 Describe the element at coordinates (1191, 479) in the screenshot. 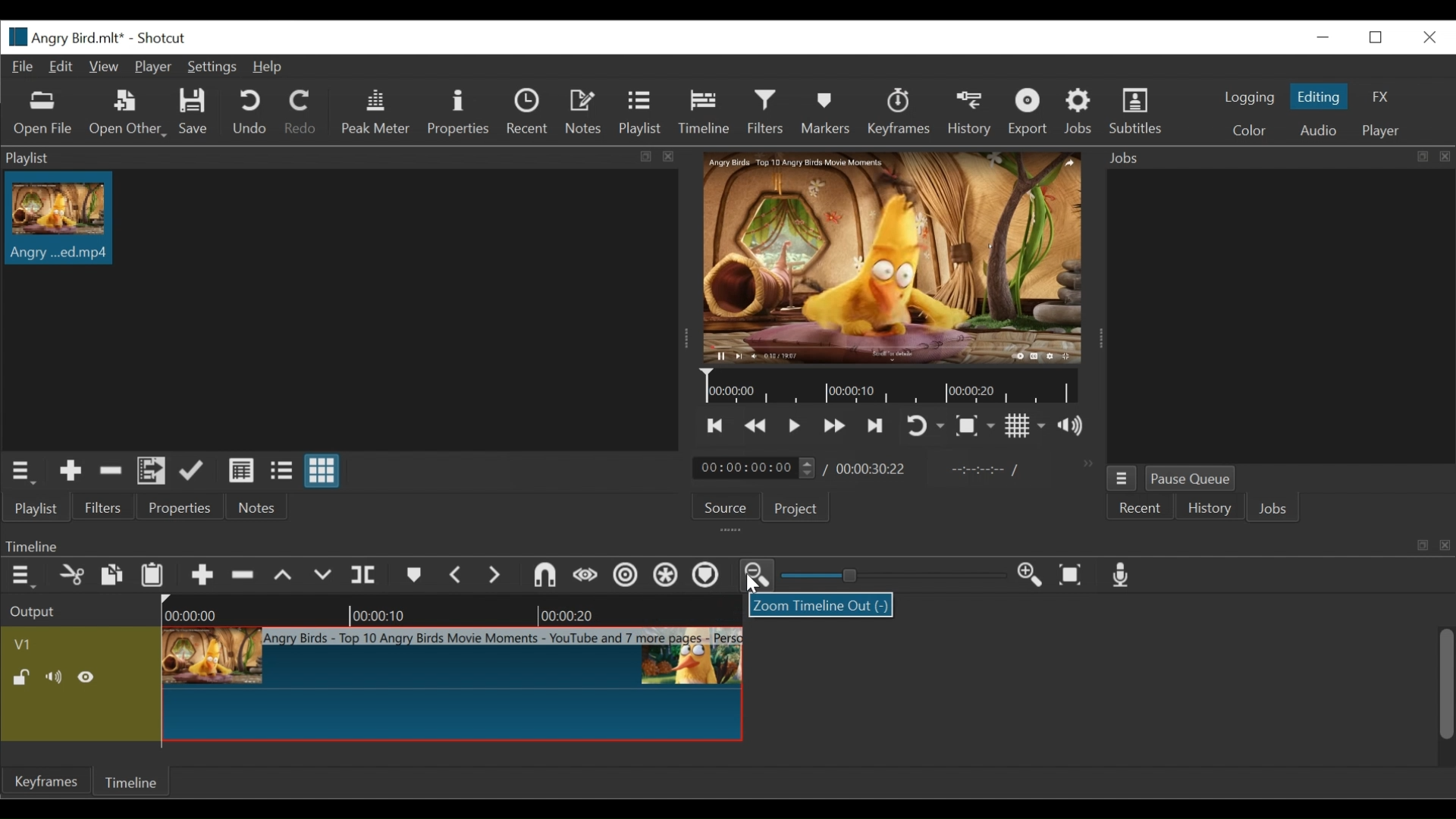

I see `Pause Queue` at that location.